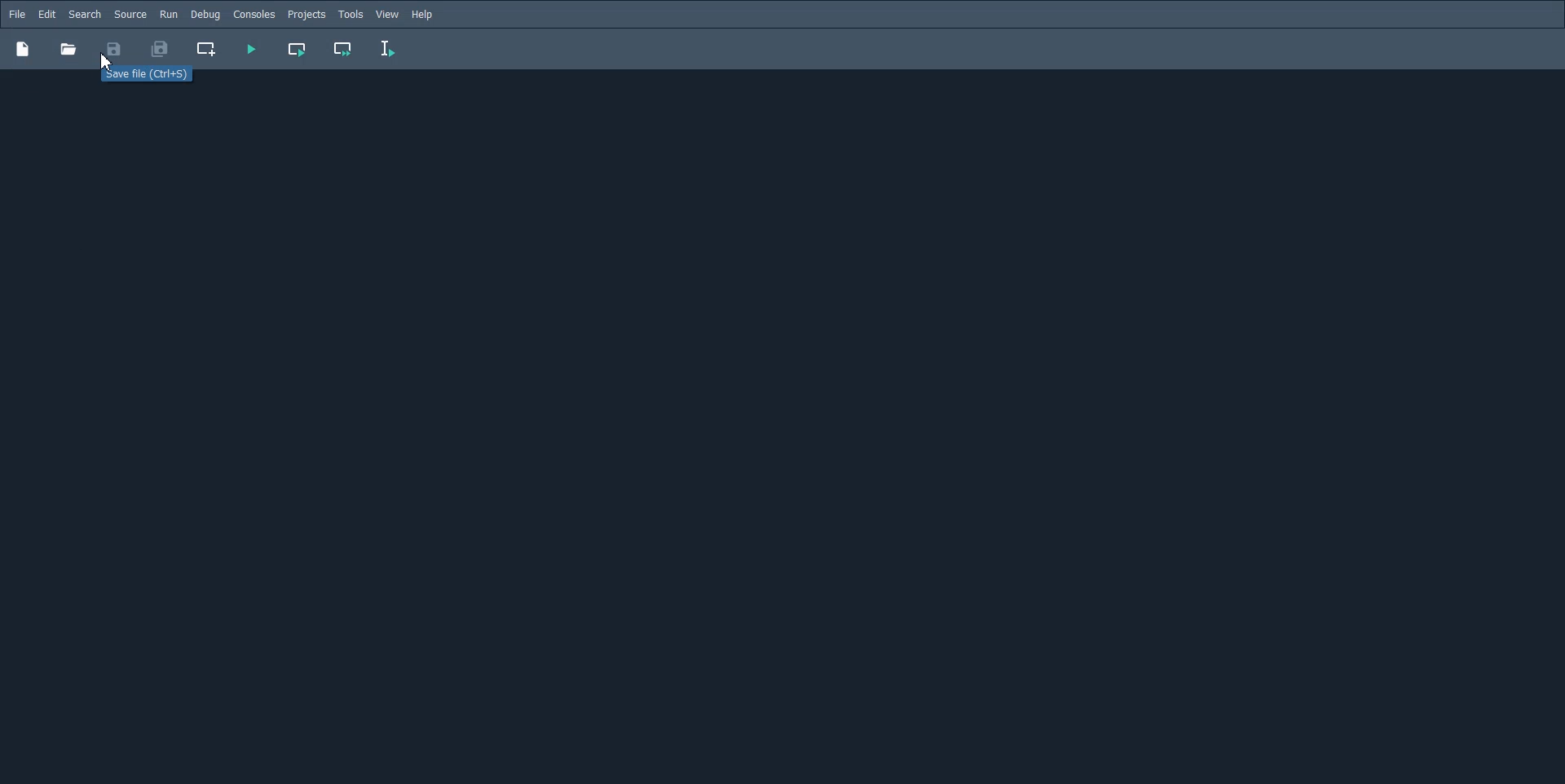  What do you see at coordinates (85, 15) in the screenshot?
I see `Search` at bounding box center [85, 15].